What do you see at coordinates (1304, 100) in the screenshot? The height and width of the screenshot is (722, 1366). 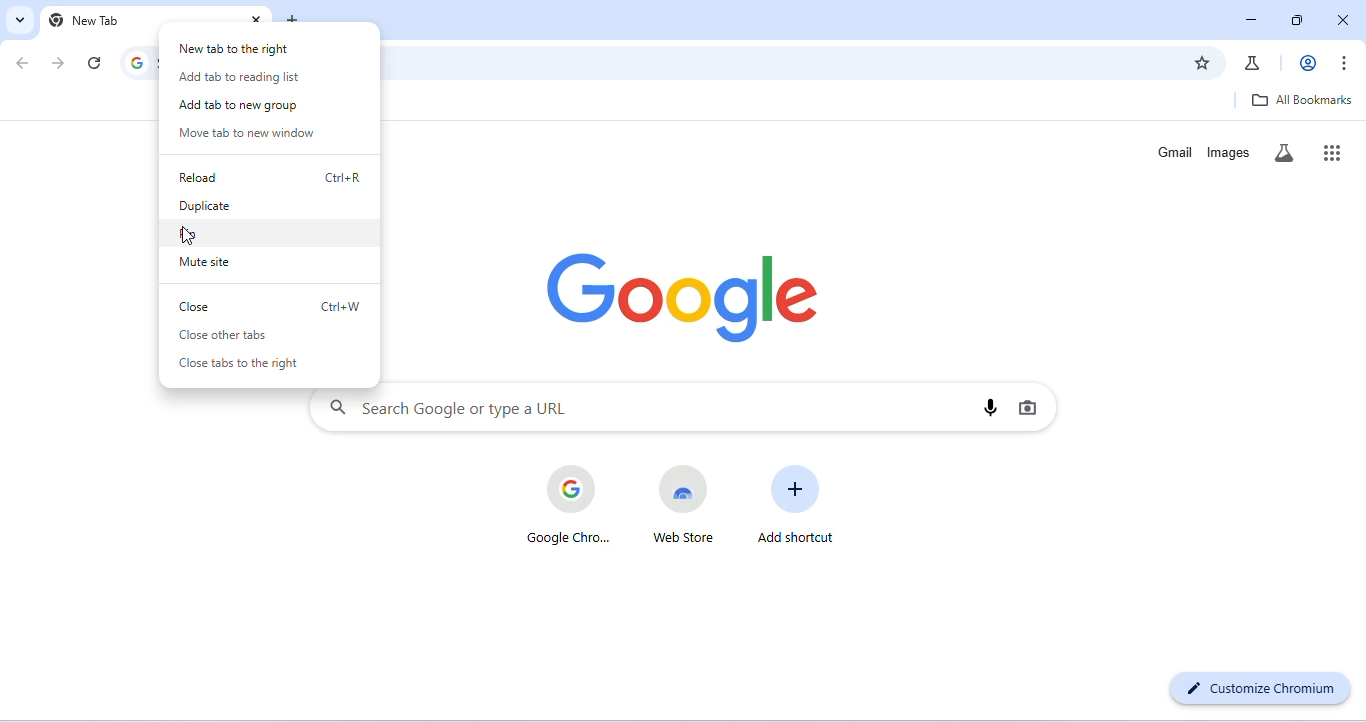 I see `all bookmarks` at bounding box center [1304, 100].